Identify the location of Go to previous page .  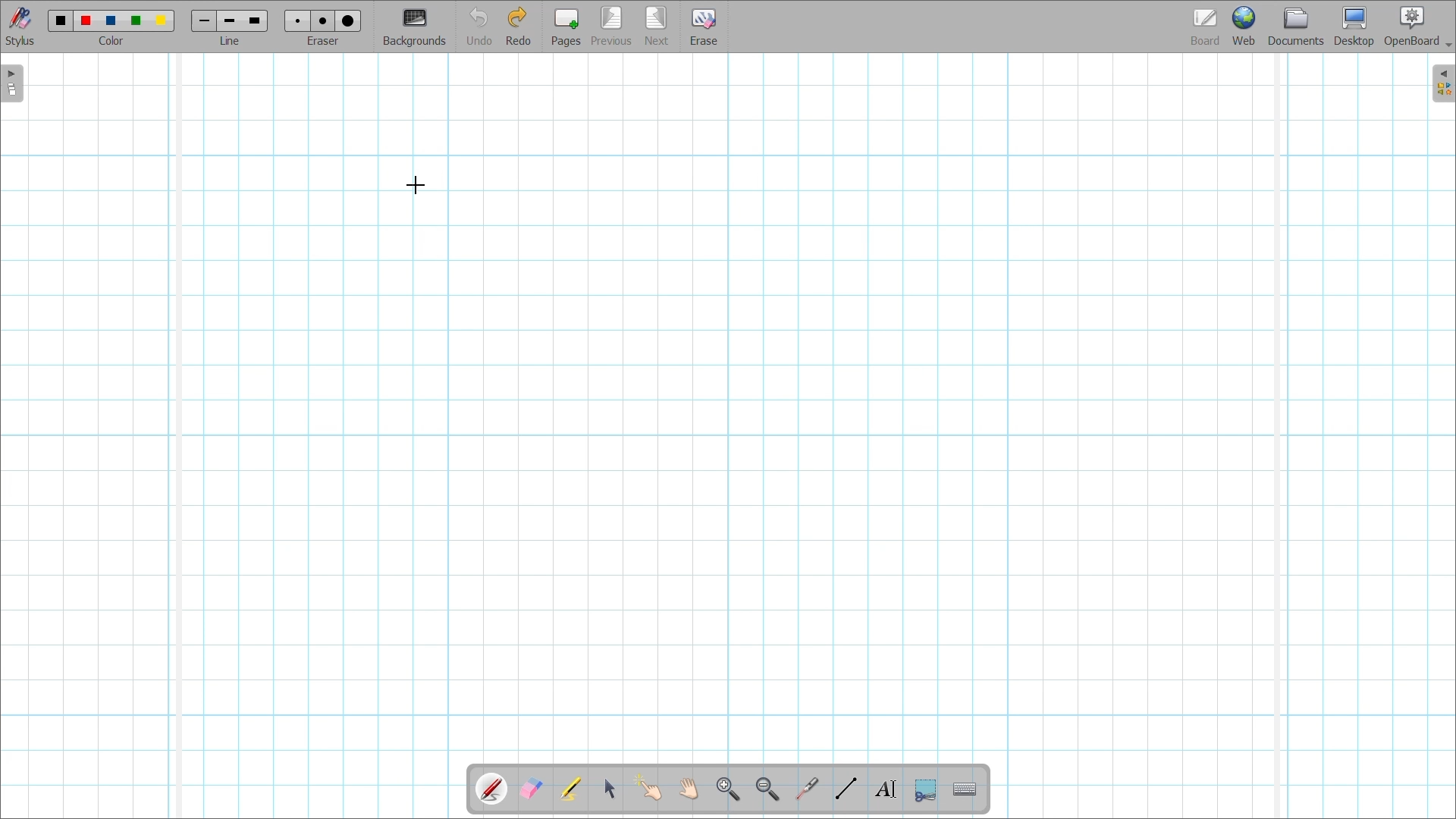
(611, 27).